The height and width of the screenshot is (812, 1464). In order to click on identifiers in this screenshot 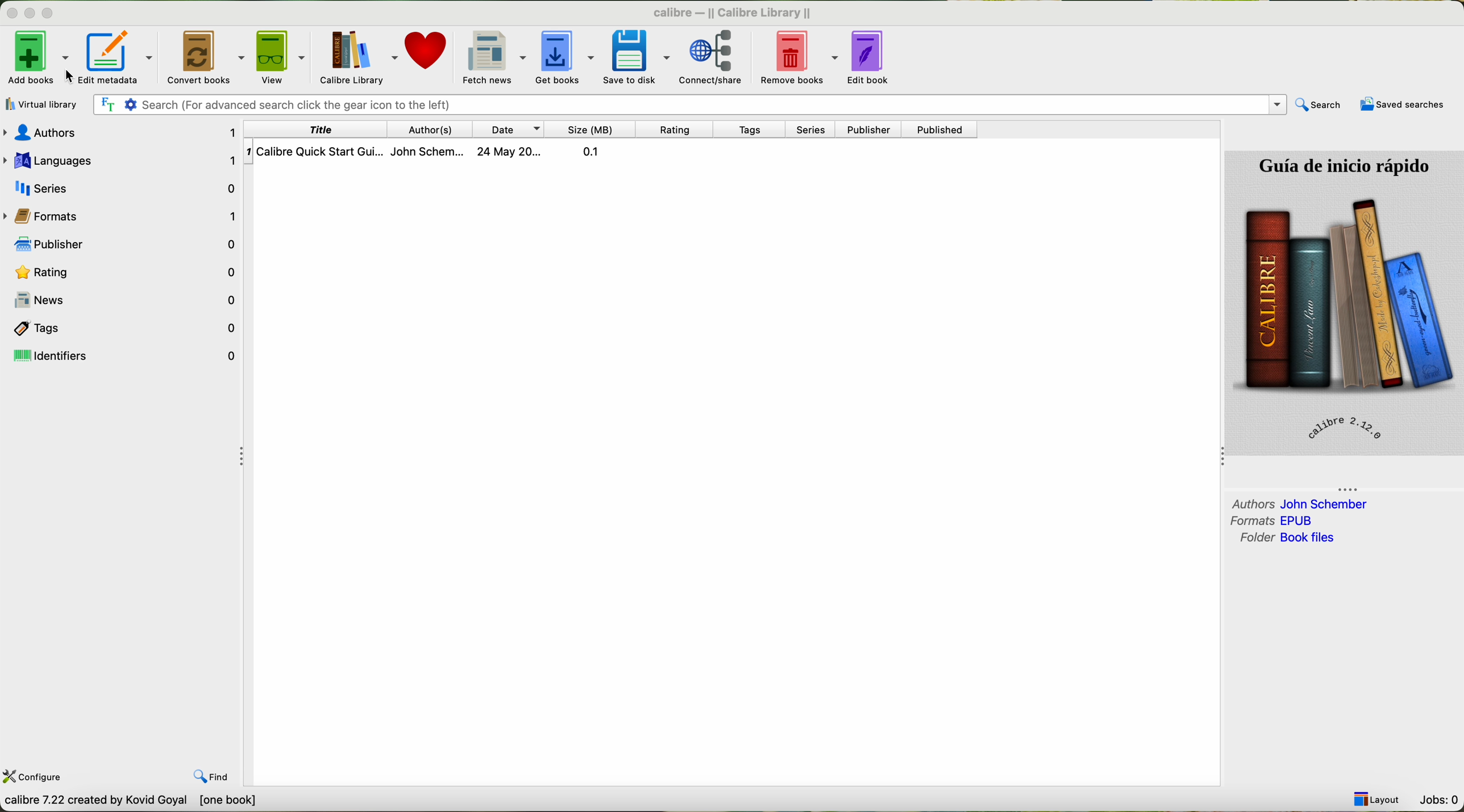, I will do `click(123, 356)`.